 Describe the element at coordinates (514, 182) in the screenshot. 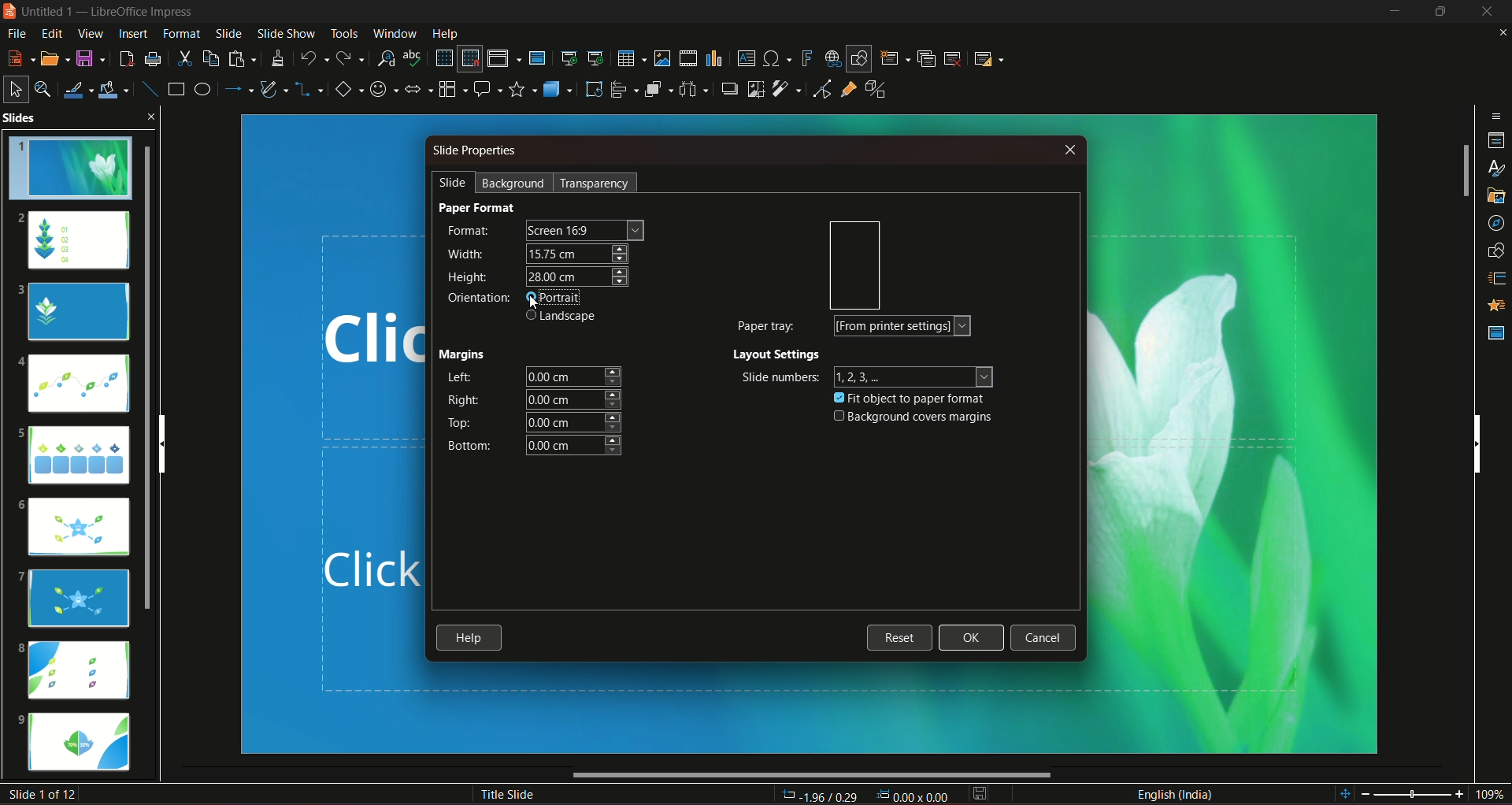

I see `background` at that location.